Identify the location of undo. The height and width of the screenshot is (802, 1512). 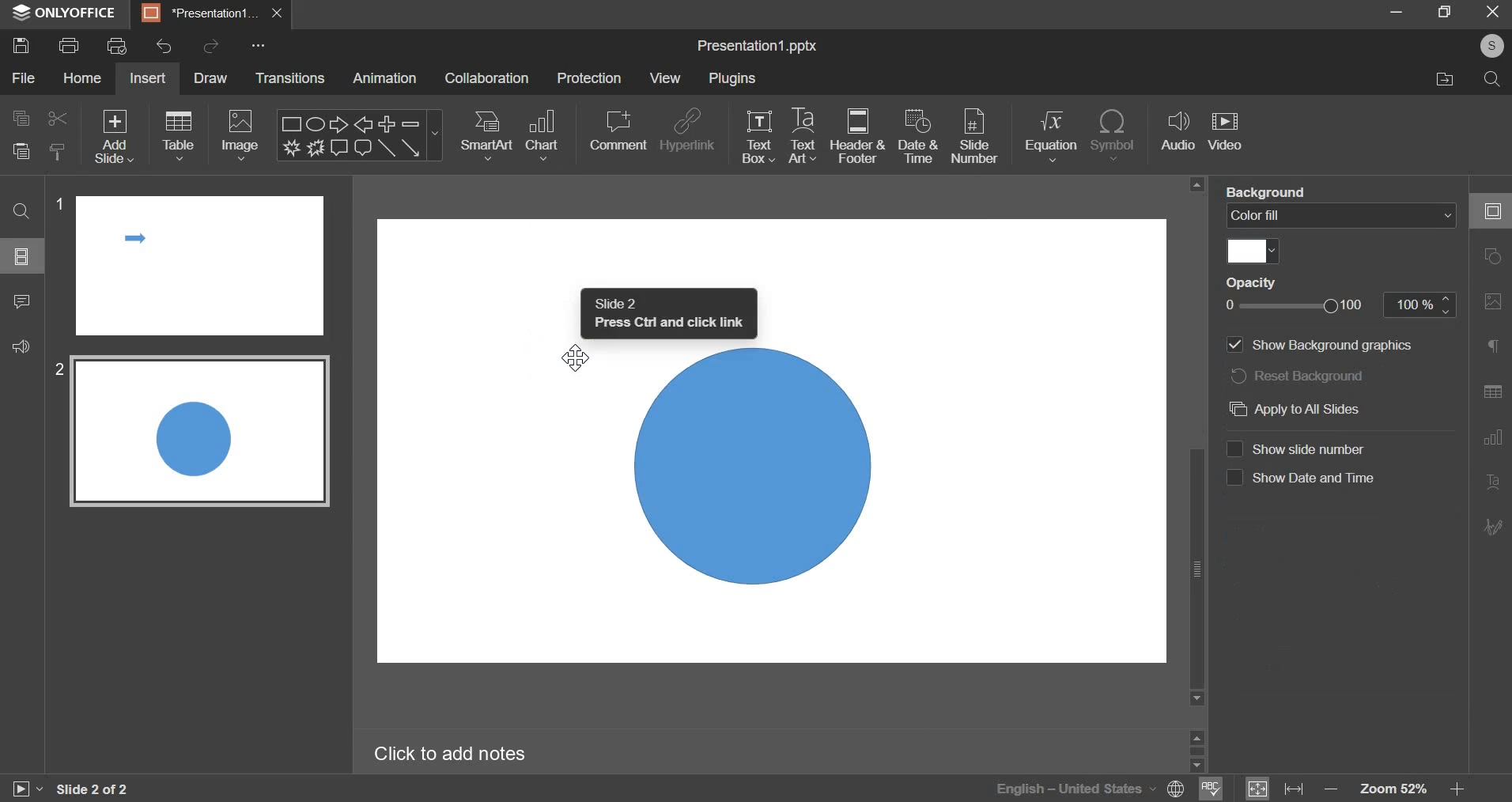
(168, 44).